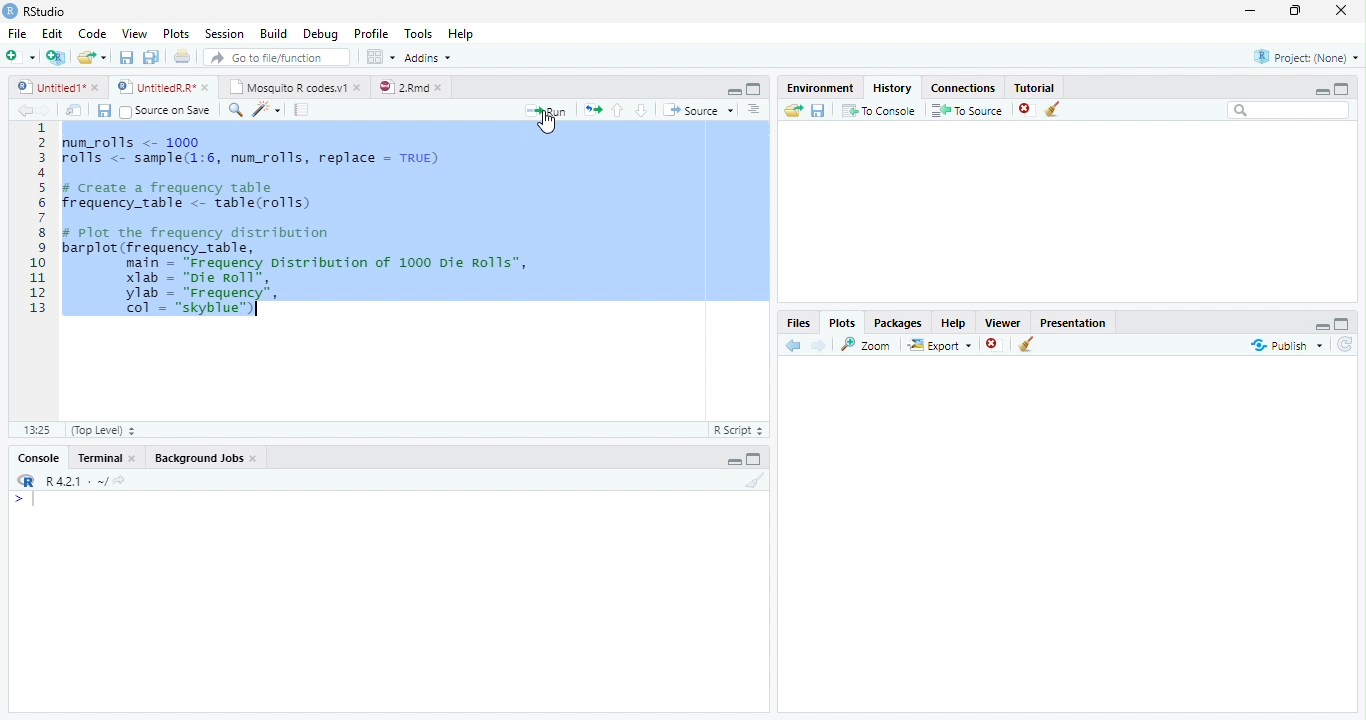  Describe the element at coordinates (35, 11) in the screenshot. I see `RStudio` at that location.